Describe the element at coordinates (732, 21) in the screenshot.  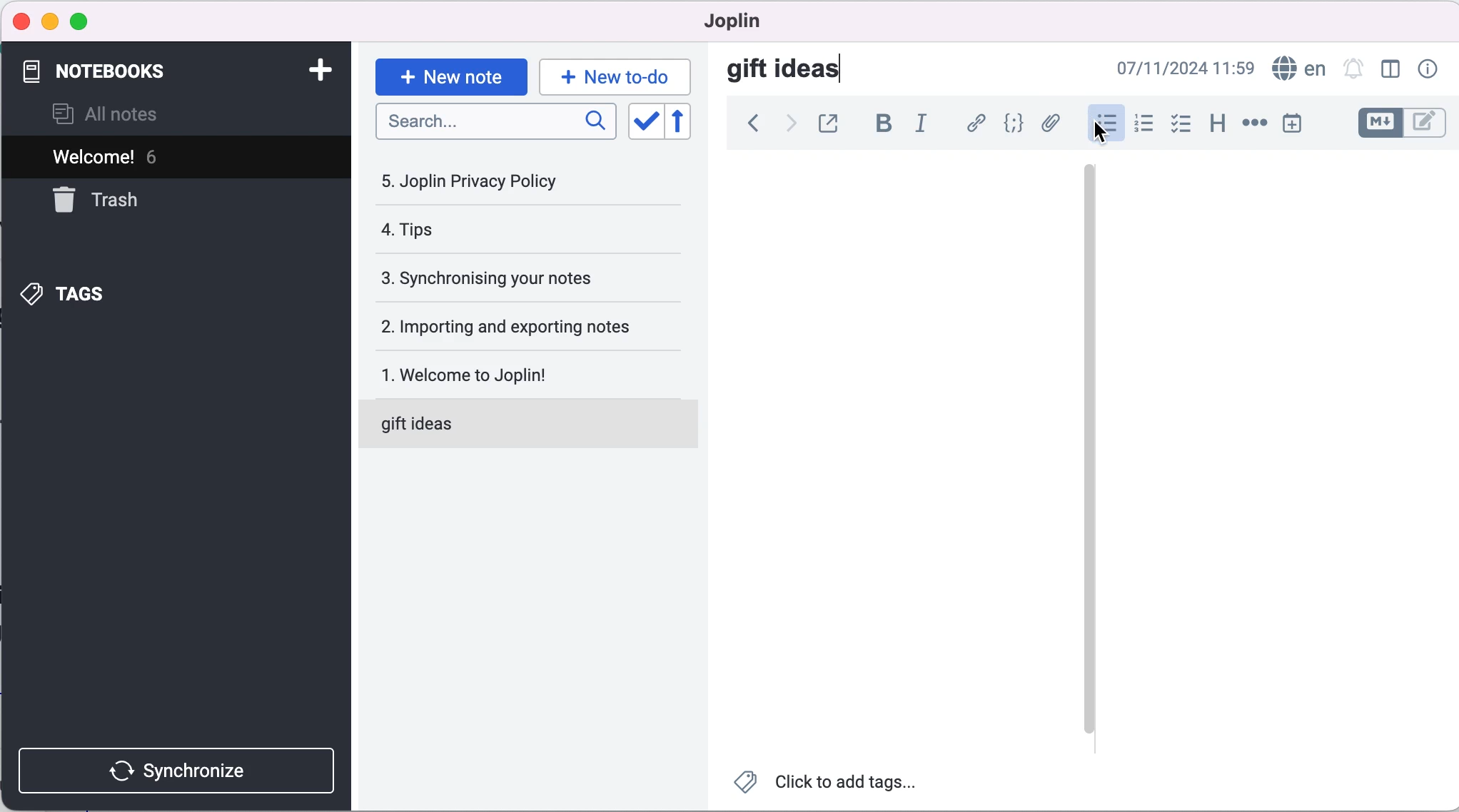
I see `joplin` at that location.